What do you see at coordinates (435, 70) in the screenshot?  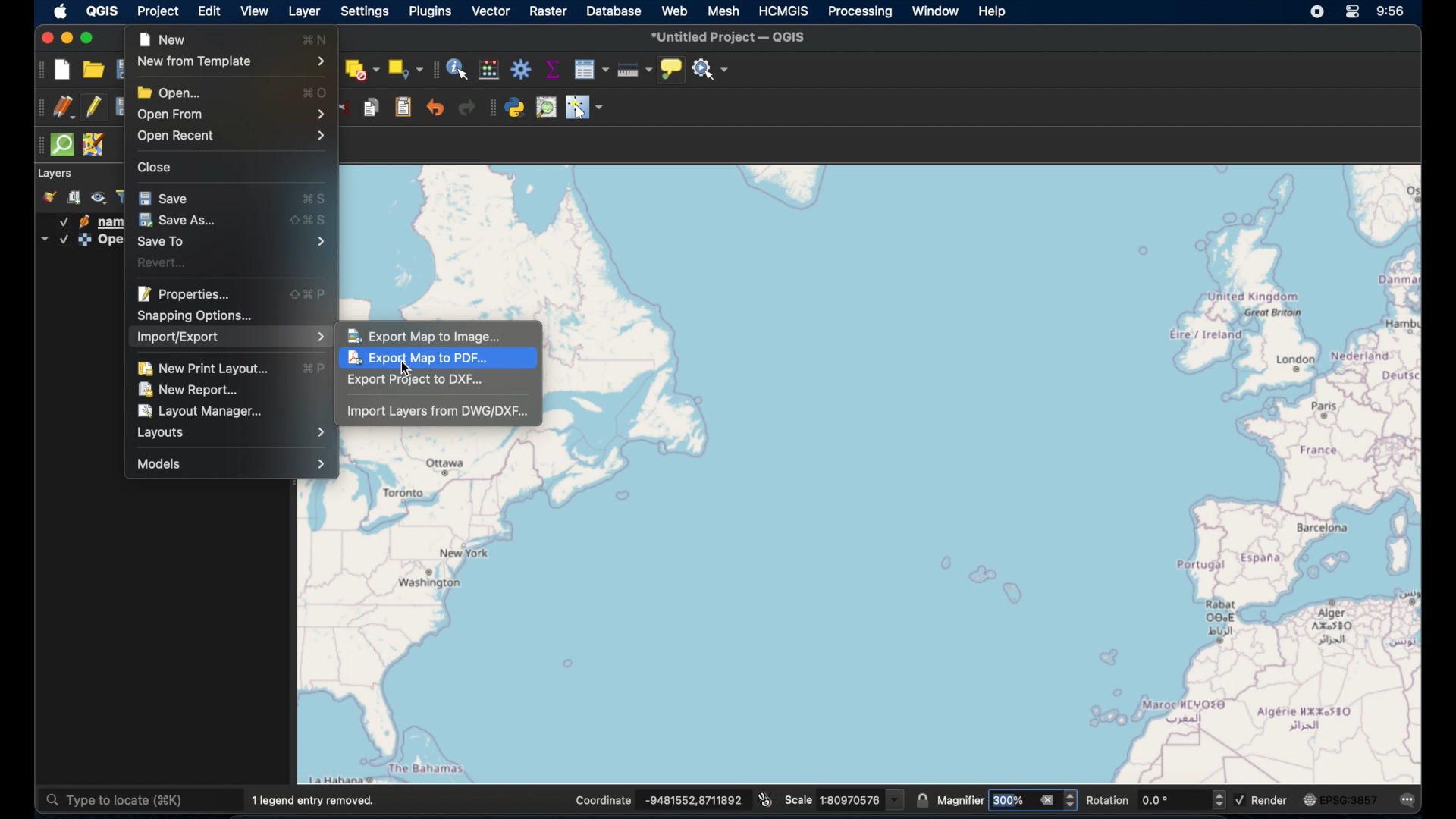 I see `attributes toolbar` at bounding box center [435, 70].